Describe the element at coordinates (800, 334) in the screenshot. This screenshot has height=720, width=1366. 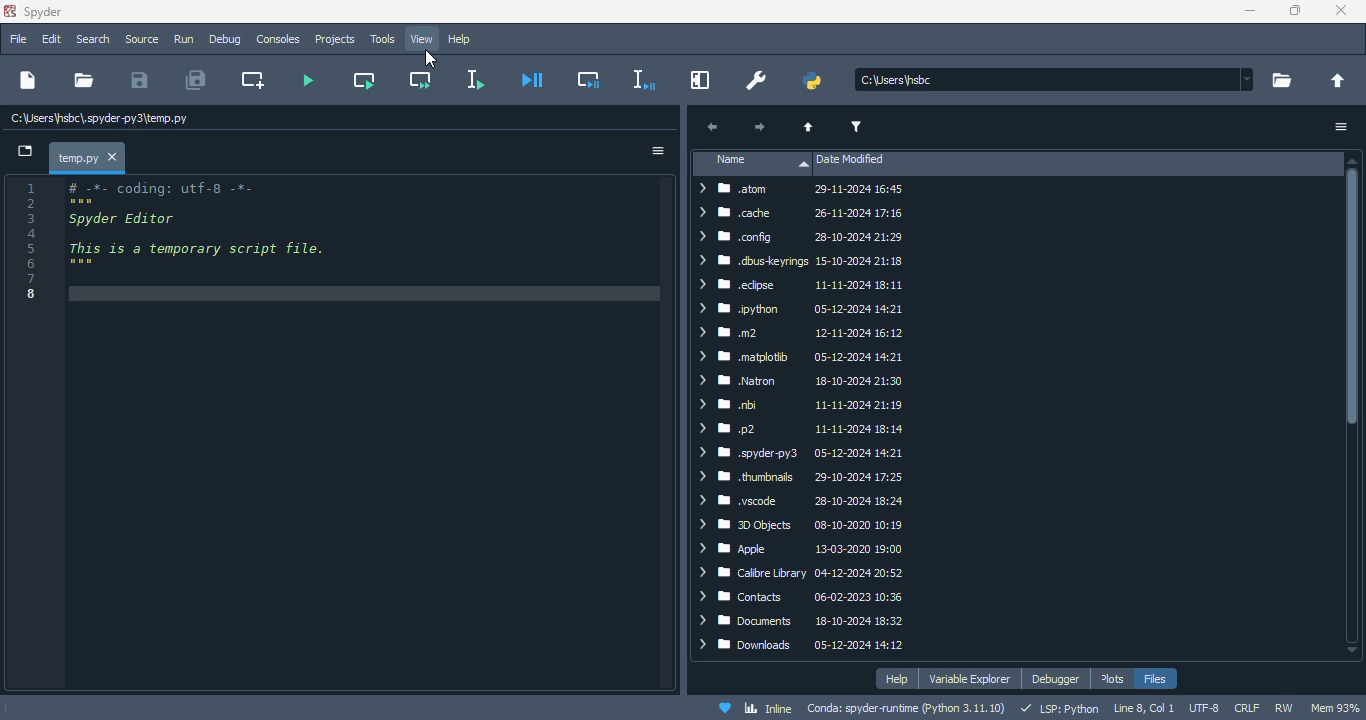
I see `.m2` at that location.